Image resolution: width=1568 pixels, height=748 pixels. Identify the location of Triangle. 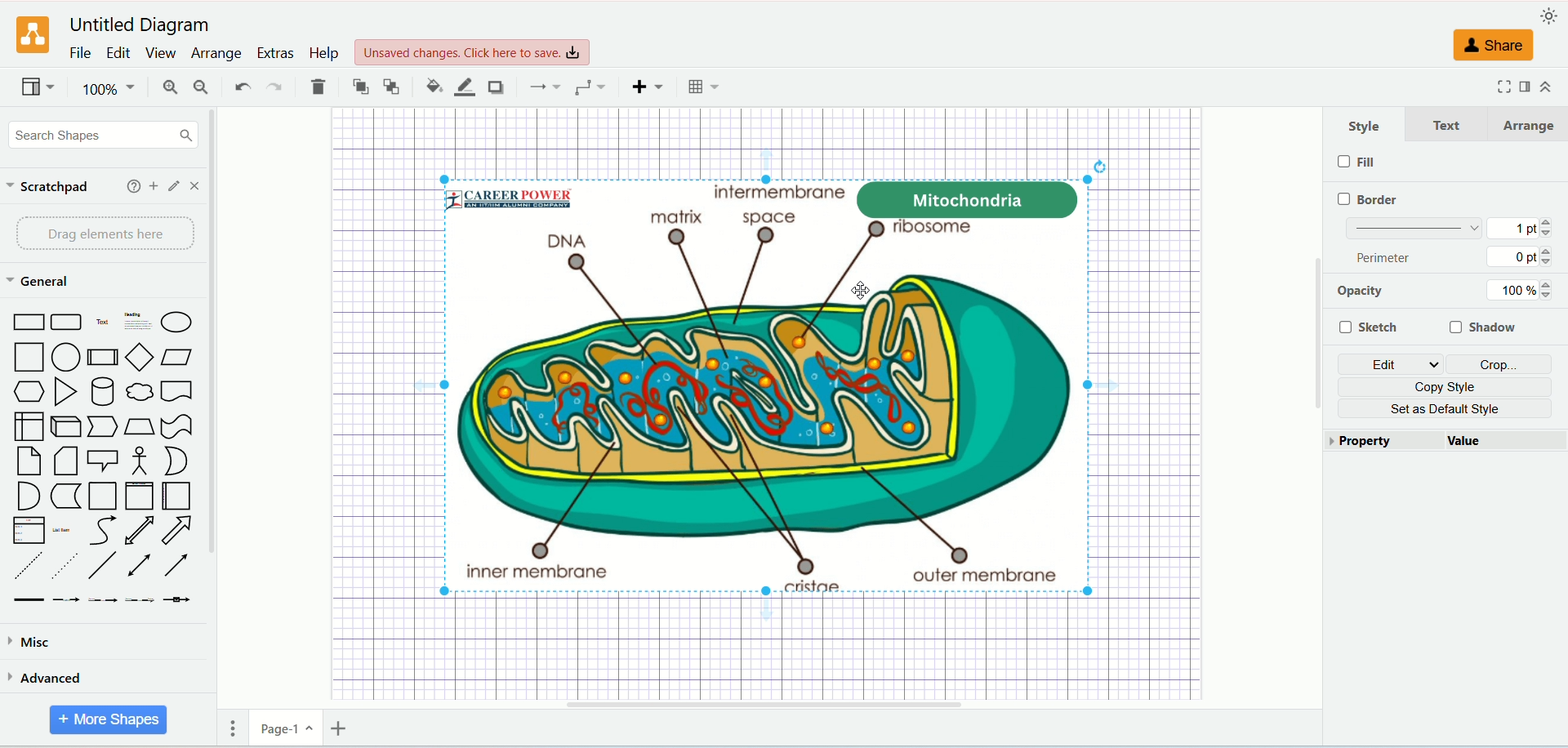
(65, 394).